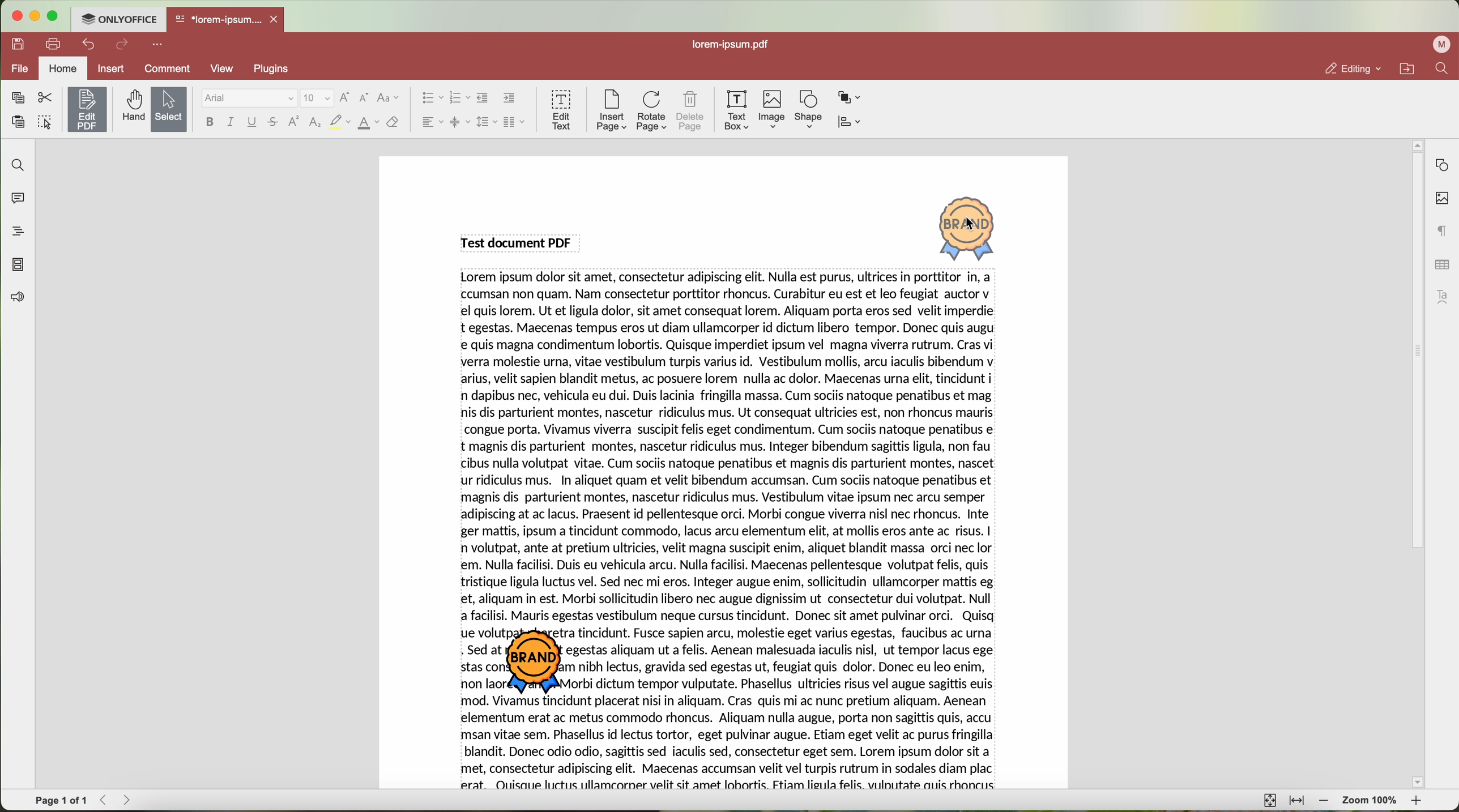  Describe the element at coordinates (17, 264) in the screenshot. I see `page thumbnails` at that location.